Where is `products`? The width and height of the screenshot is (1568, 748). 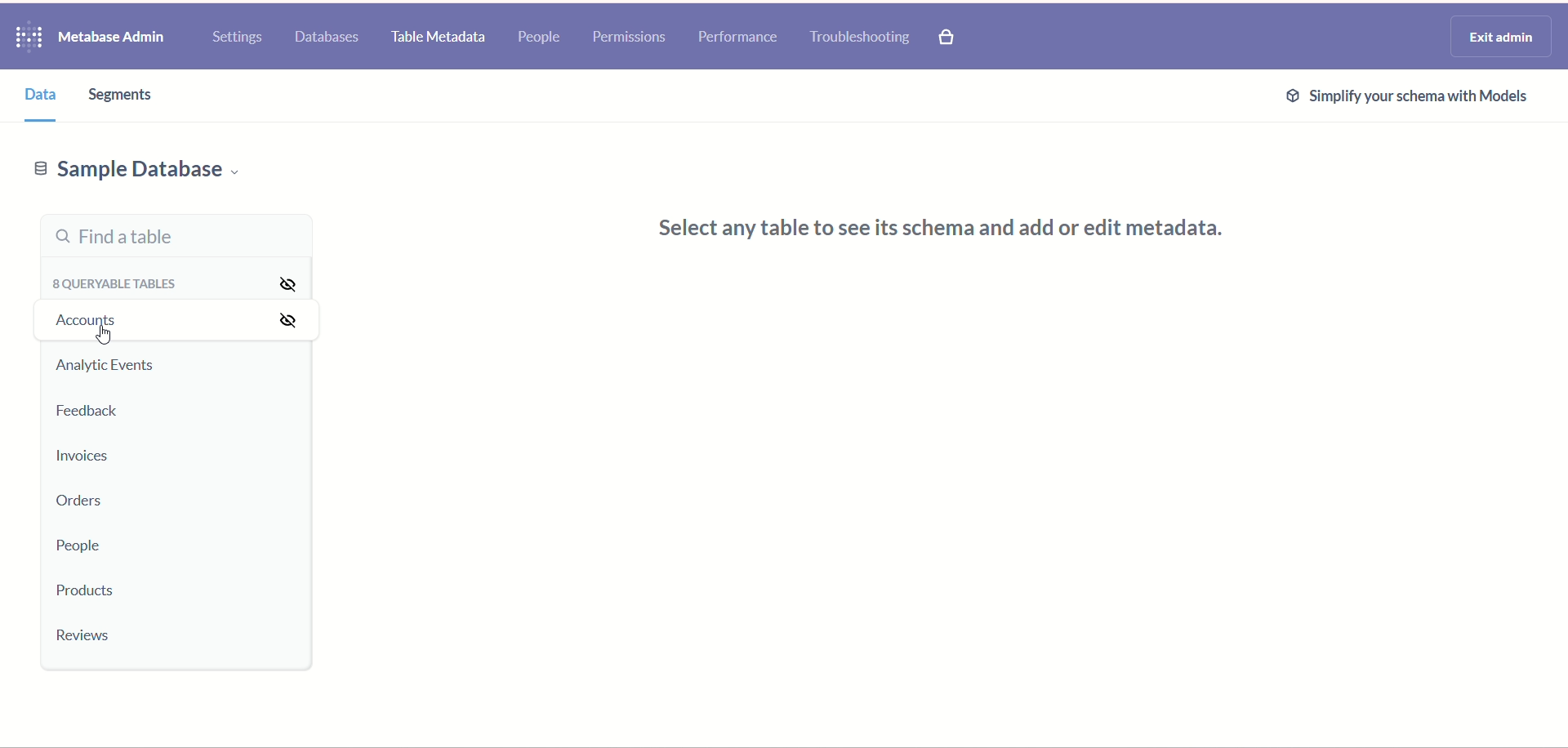 products is located at coordinates (86, 592).